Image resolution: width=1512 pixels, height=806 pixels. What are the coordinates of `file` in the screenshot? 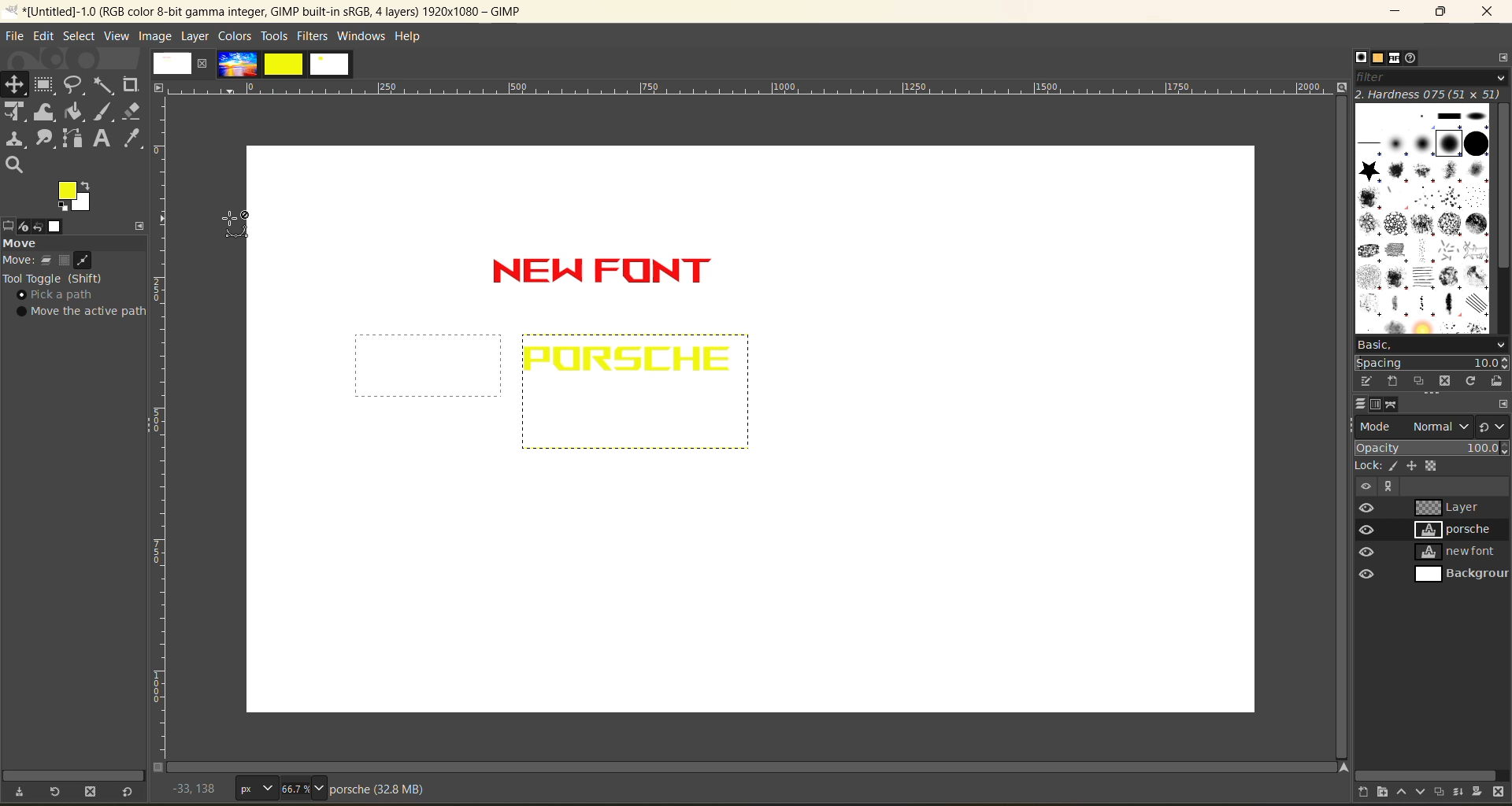 It's located at (13, 35).